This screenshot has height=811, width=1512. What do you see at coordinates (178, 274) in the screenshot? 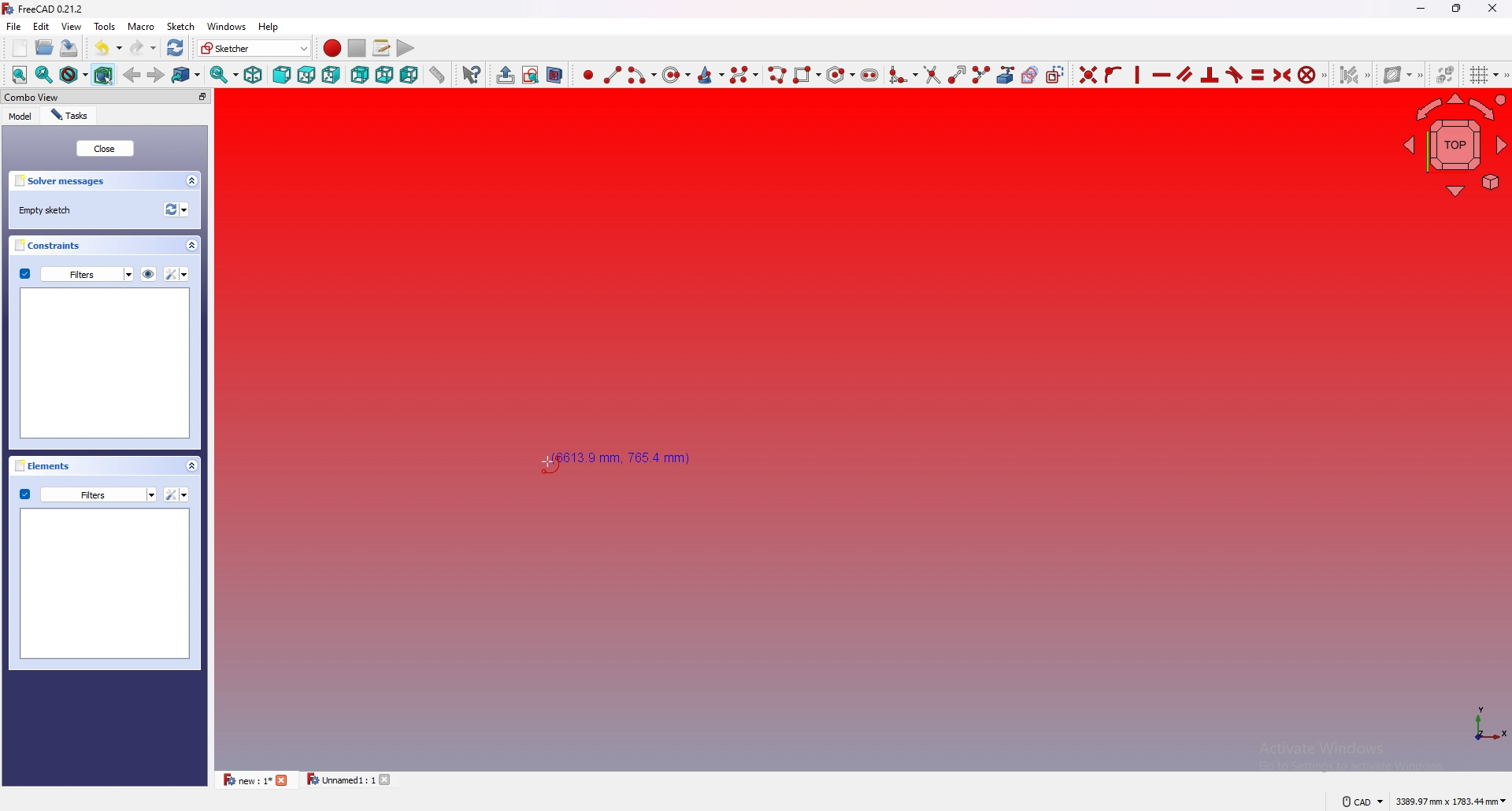
I see `settings` at bounding box center [178, 274].